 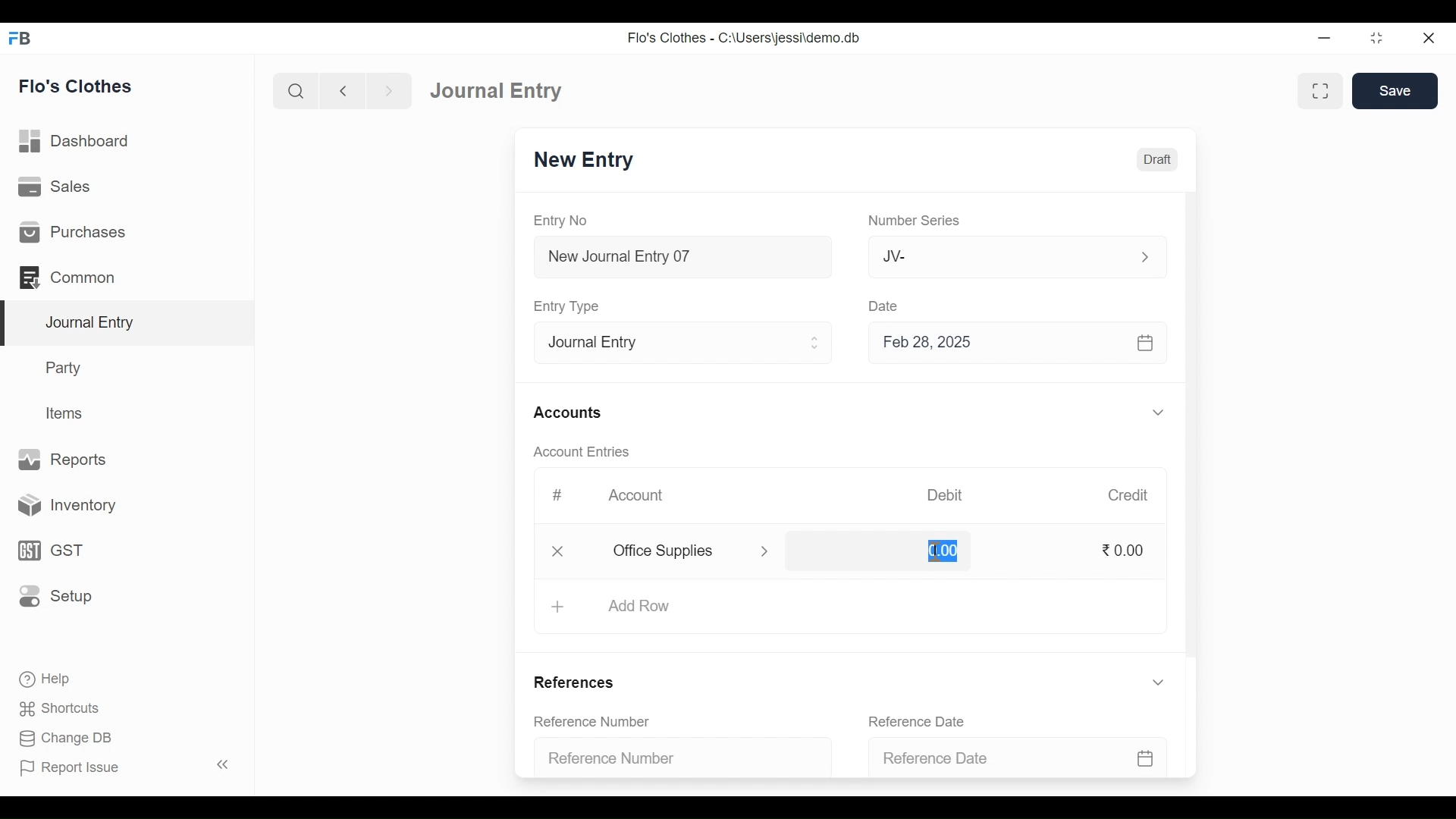 I want to click on Reports, so click(x=64, y=458).